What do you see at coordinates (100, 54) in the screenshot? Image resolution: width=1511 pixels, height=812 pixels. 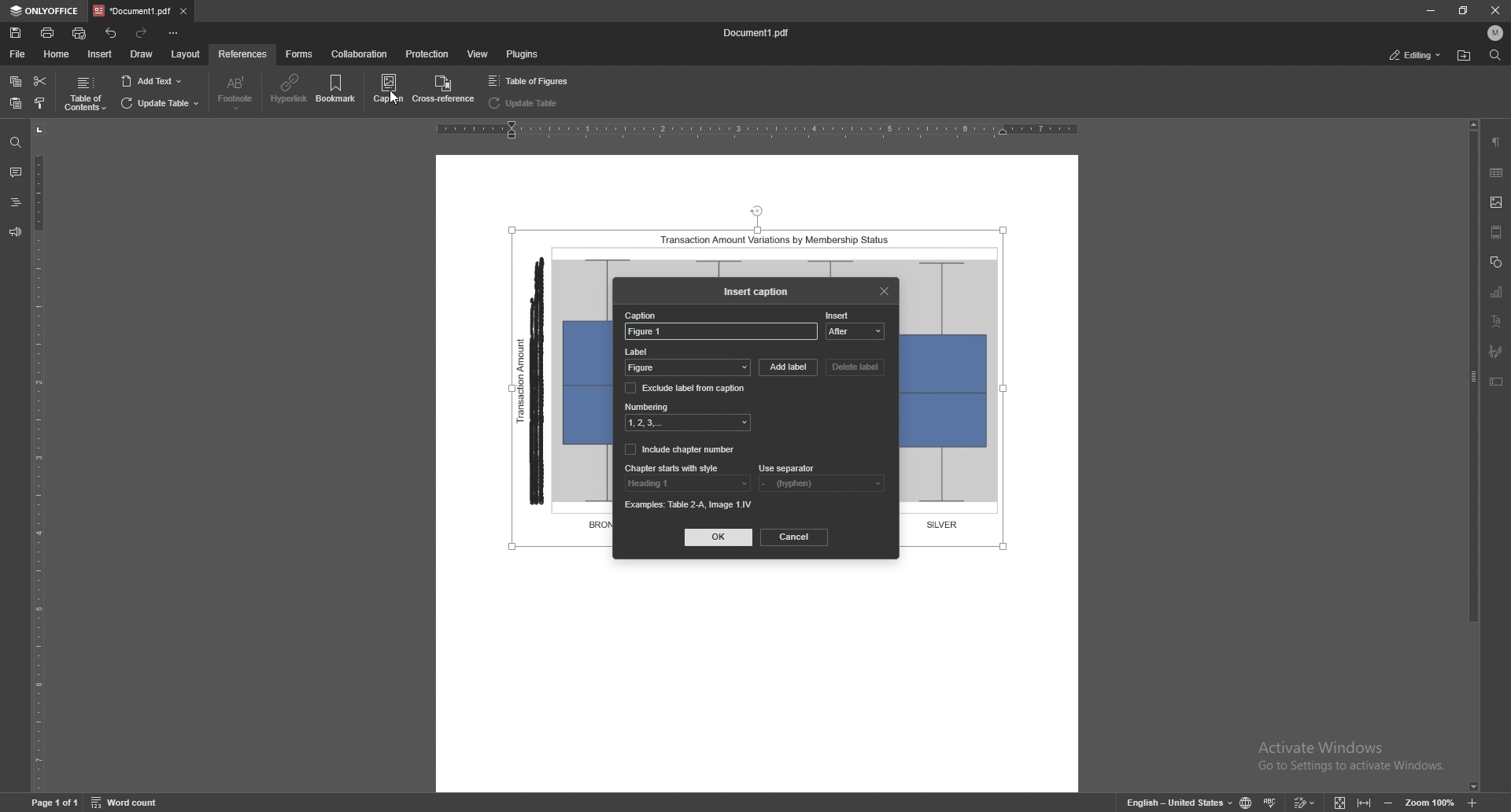 I see `insert` at bounding box center [100, 54].